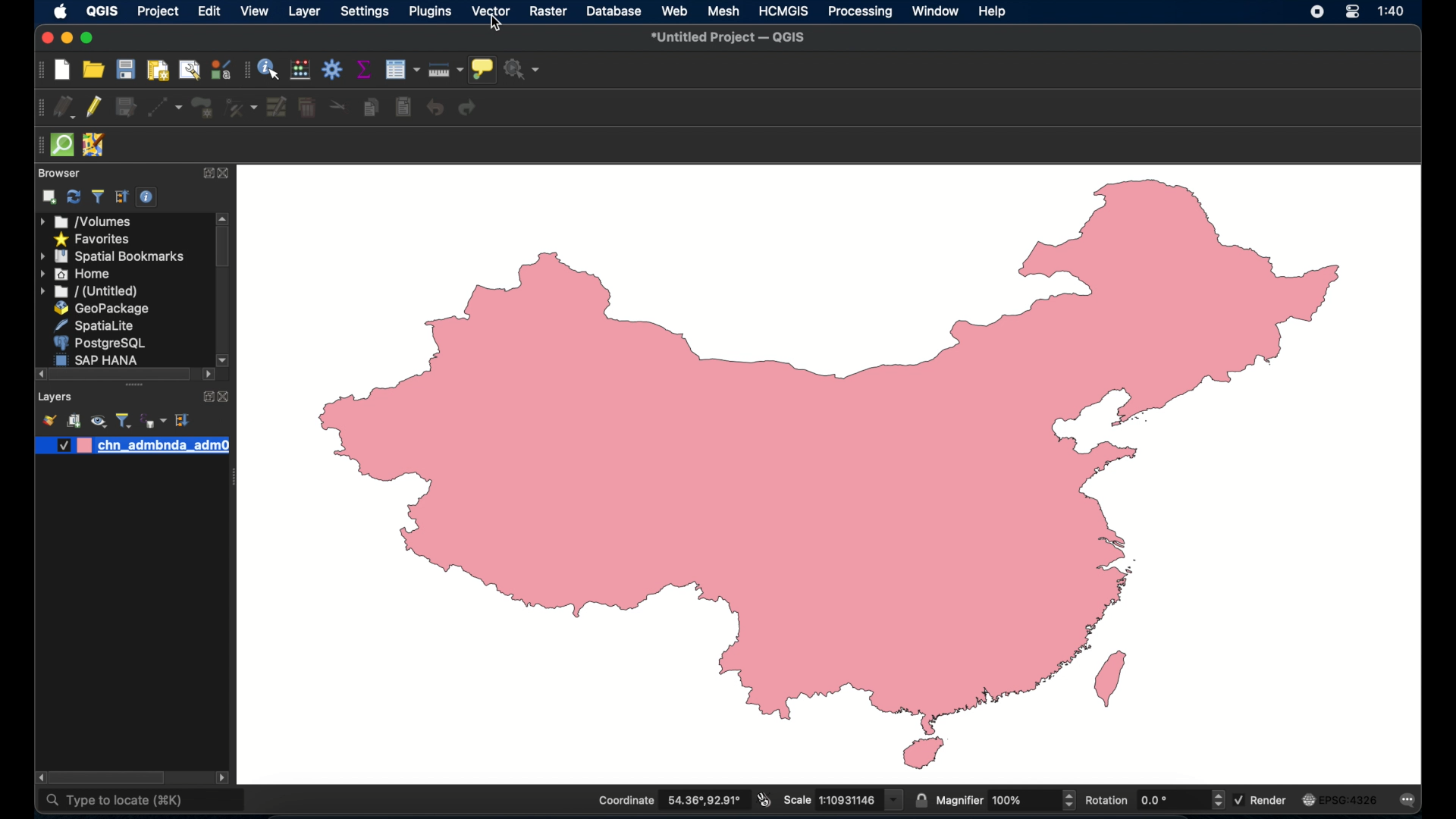 This screenshot has height=819, width=1456. I want to click on scroll box, so click(222, 249).